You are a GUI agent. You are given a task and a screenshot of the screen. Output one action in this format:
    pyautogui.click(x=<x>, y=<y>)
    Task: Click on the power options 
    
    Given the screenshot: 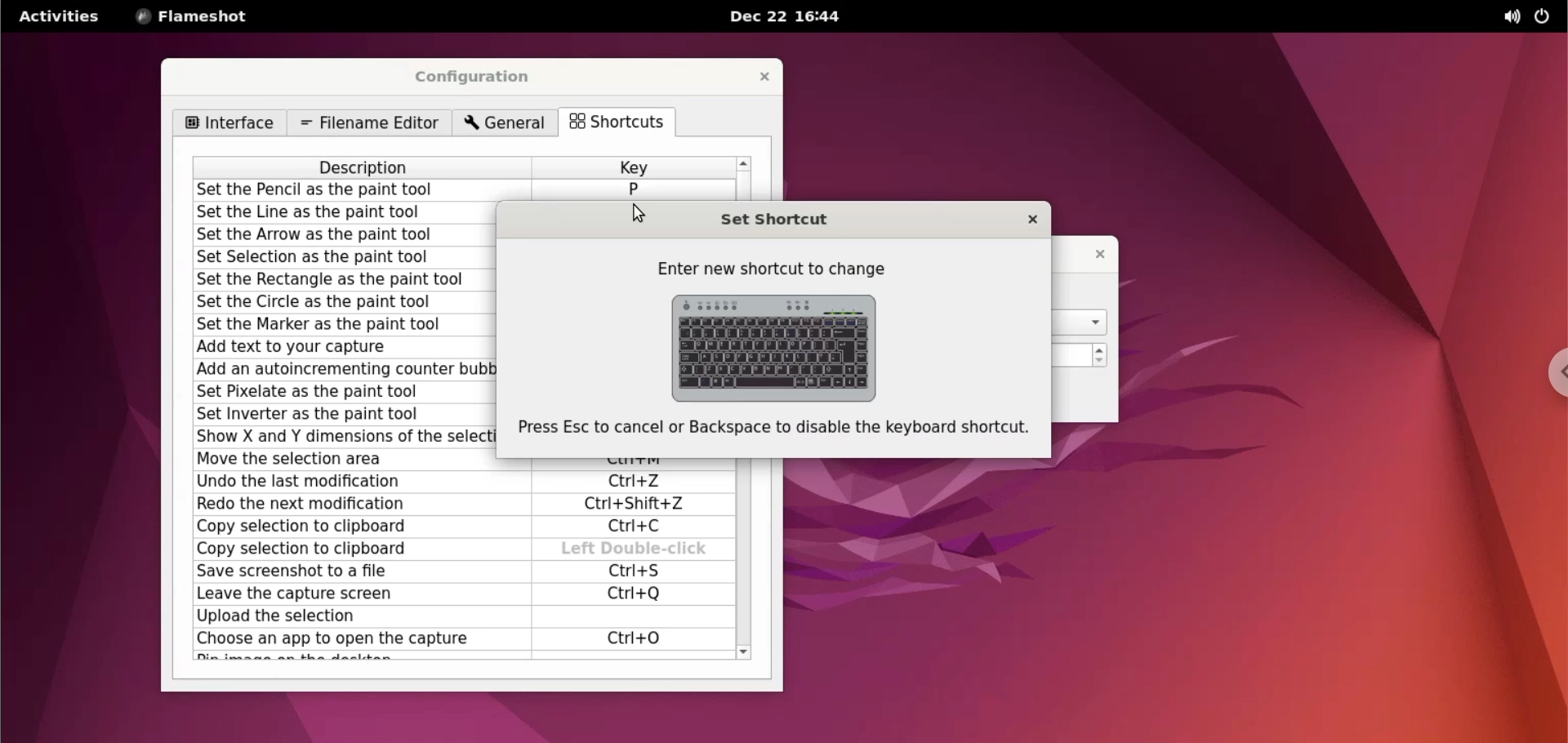 What is the action you would take?
    pyautogui.click(x=1545, y=17)
    